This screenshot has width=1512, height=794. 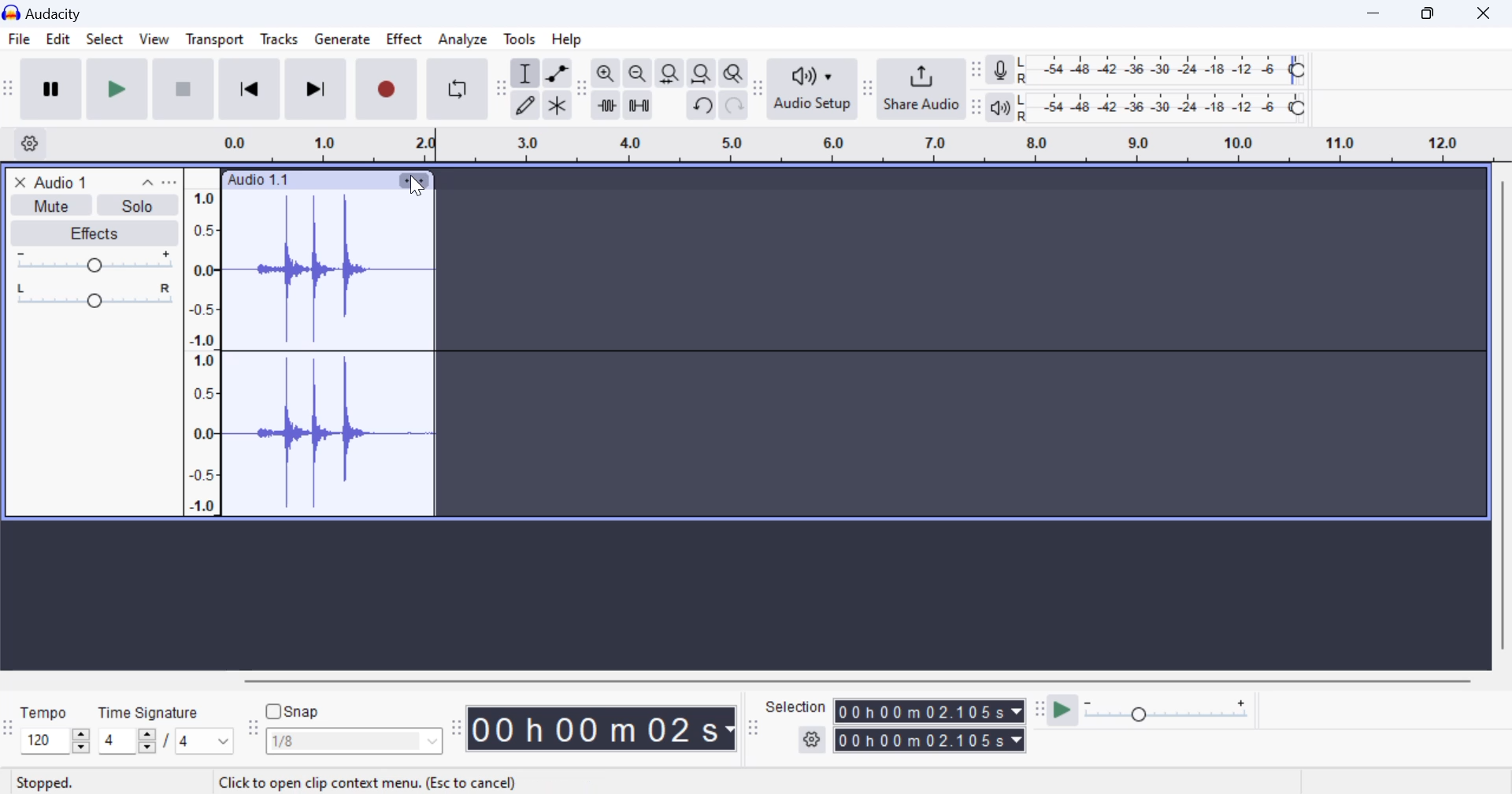 What do you see at coordinates (1488, 11) in the screenshot?
I see `Close Window` at bounding box center [1488, 11].